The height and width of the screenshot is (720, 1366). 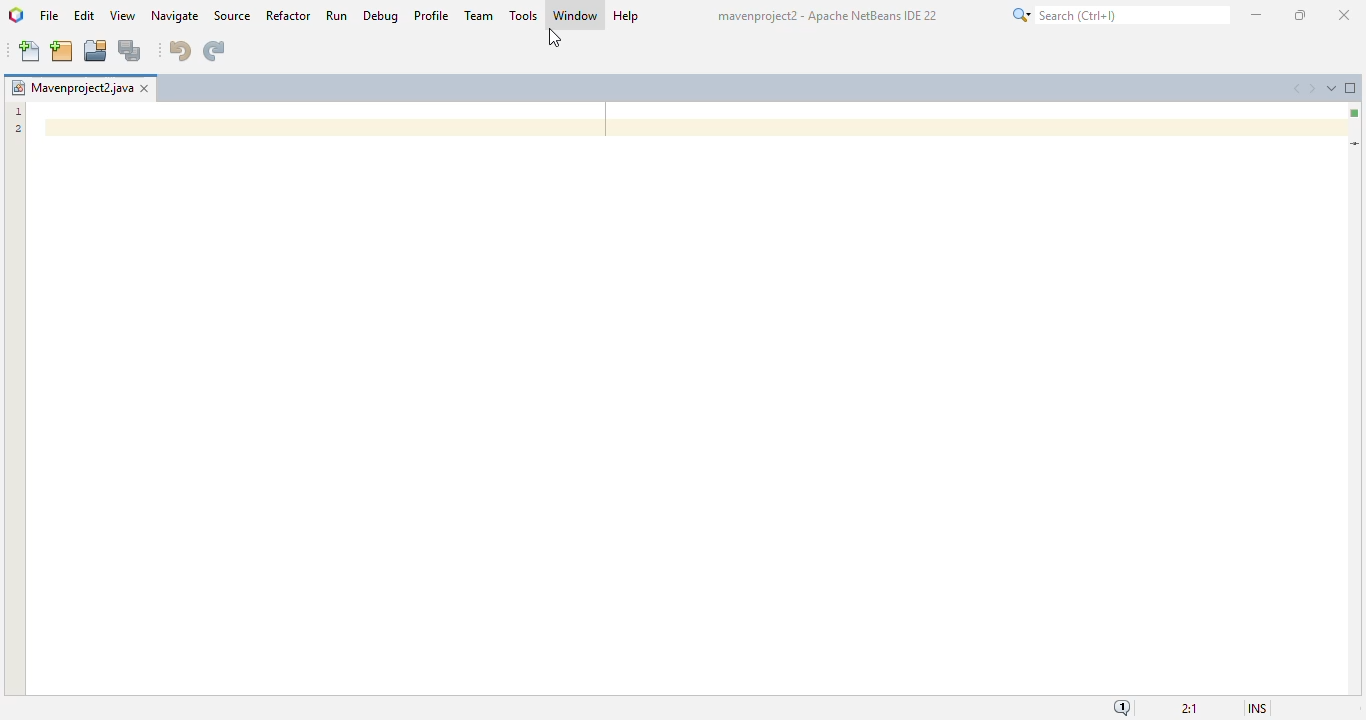 What do you see at coordinates (73, 87) in the screenshot?
I see `project name` at bounding box center [73, 87].